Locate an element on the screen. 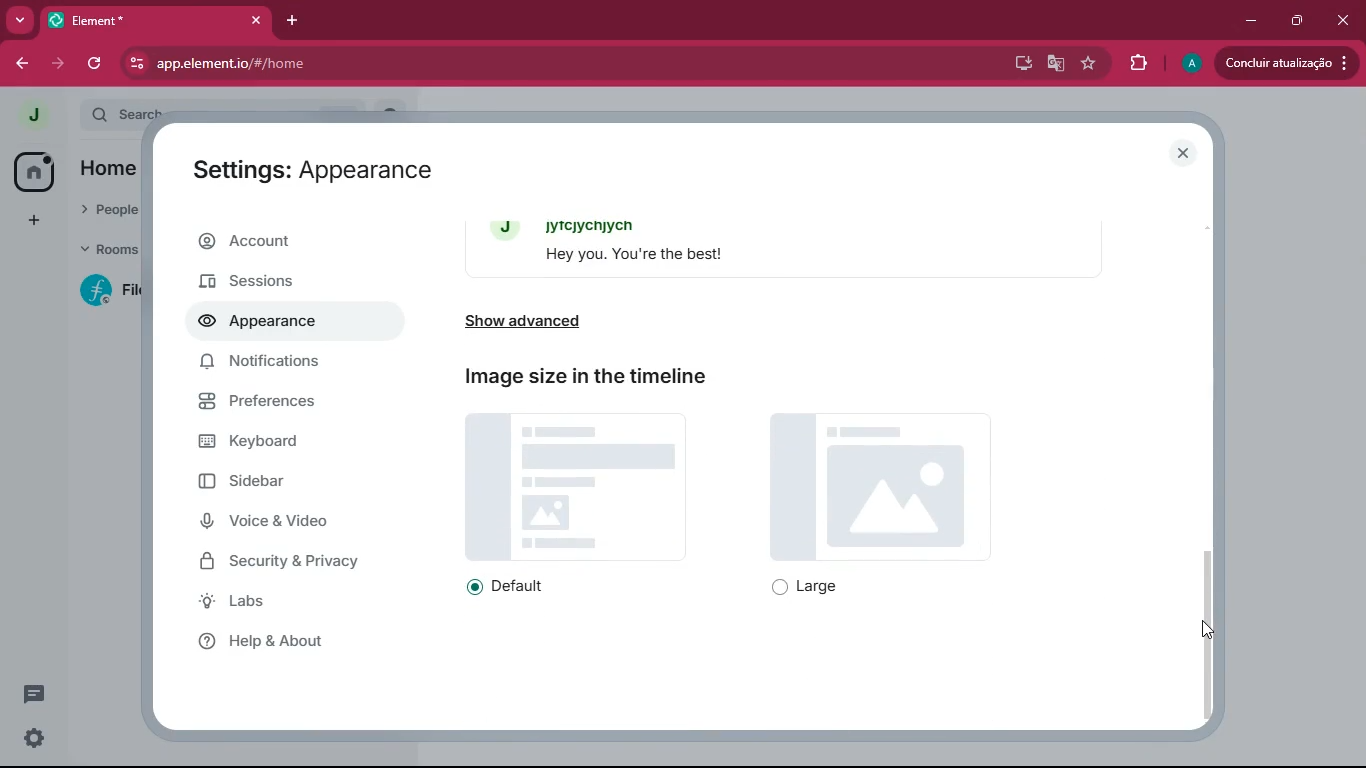 The width and height of the screenshot is (1366, 768). Concluir atualizacao is located at coordinates (1283, 65).